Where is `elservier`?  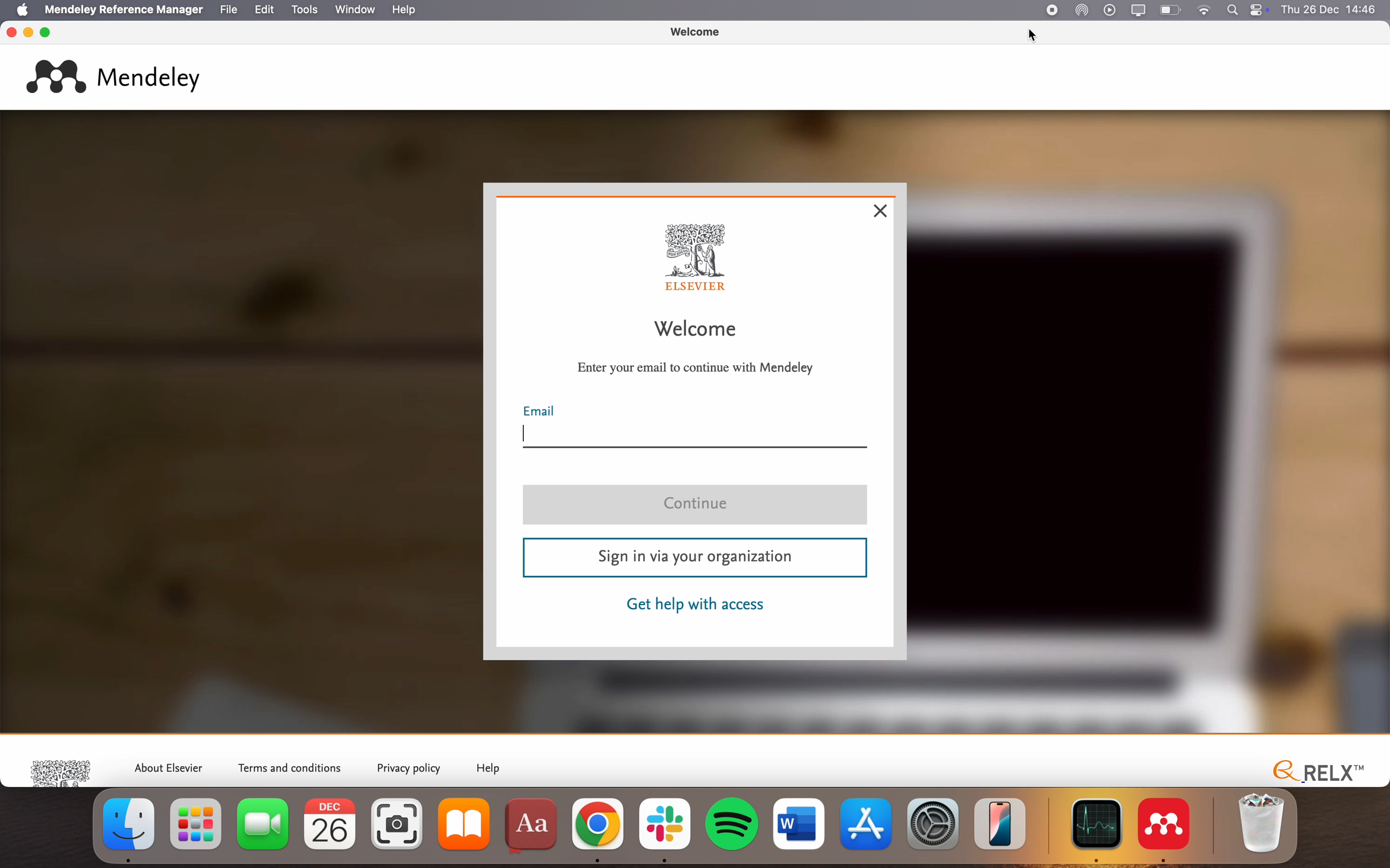
elservier is located at coordinates (700, 258).